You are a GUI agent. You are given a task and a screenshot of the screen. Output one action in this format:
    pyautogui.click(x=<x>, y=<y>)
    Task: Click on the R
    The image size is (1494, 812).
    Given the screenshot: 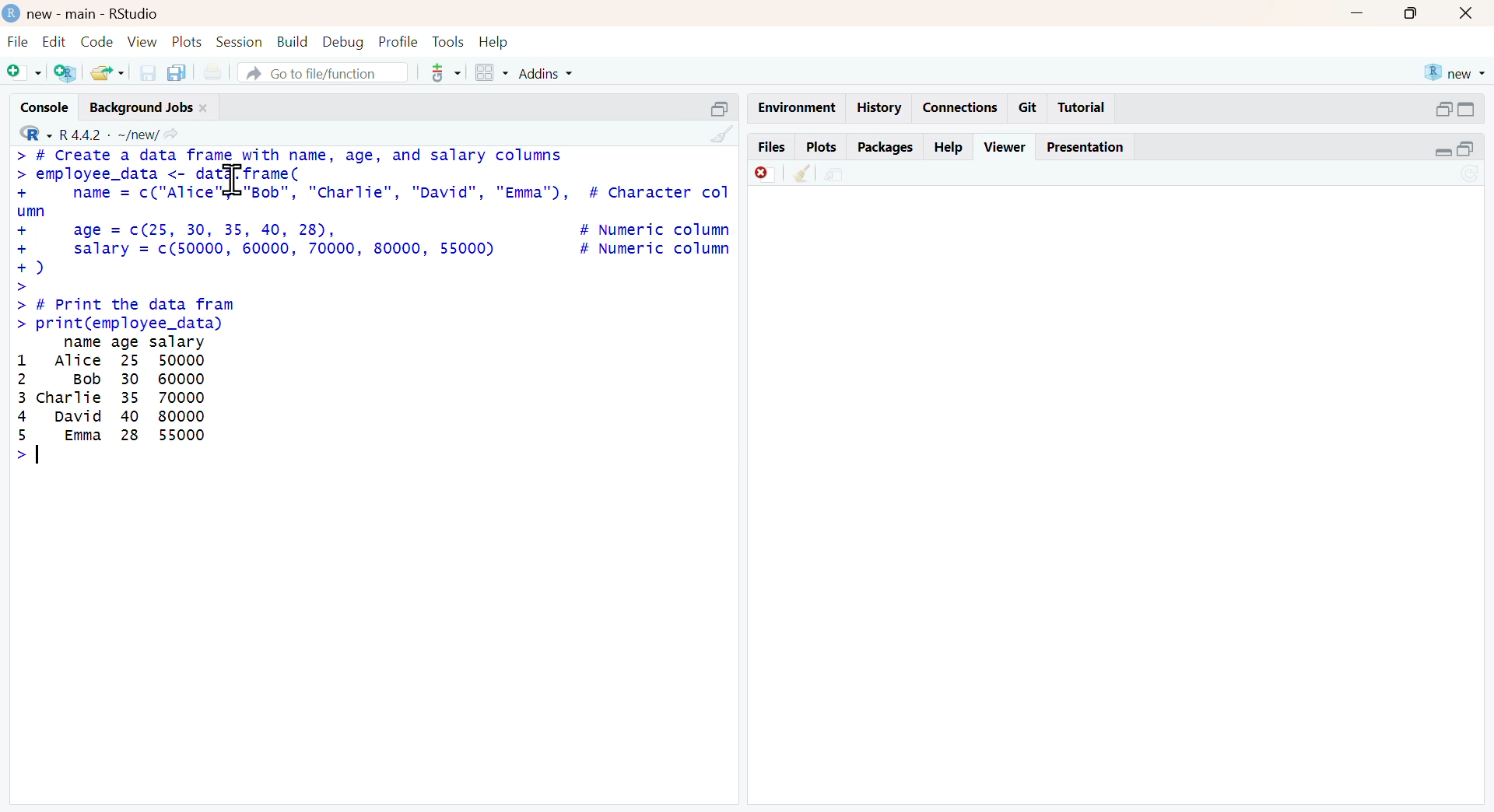 What is the action you would take?
    pyautogui.click(x=29, y=134)
    